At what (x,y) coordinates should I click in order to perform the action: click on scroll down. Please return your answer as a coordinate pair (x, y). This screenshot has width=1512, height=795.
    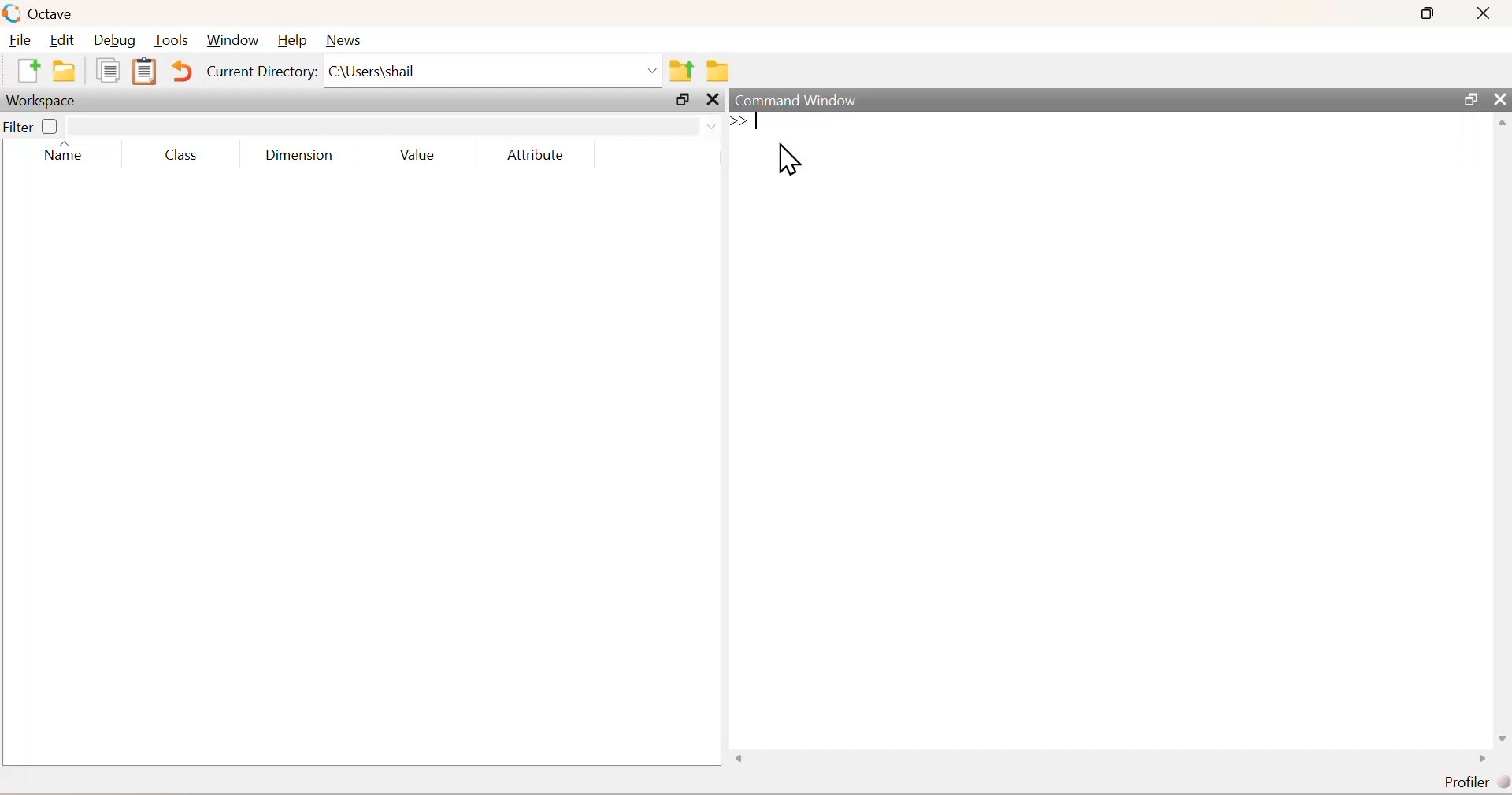
    Looking at the image, I should click on (1500, 739).